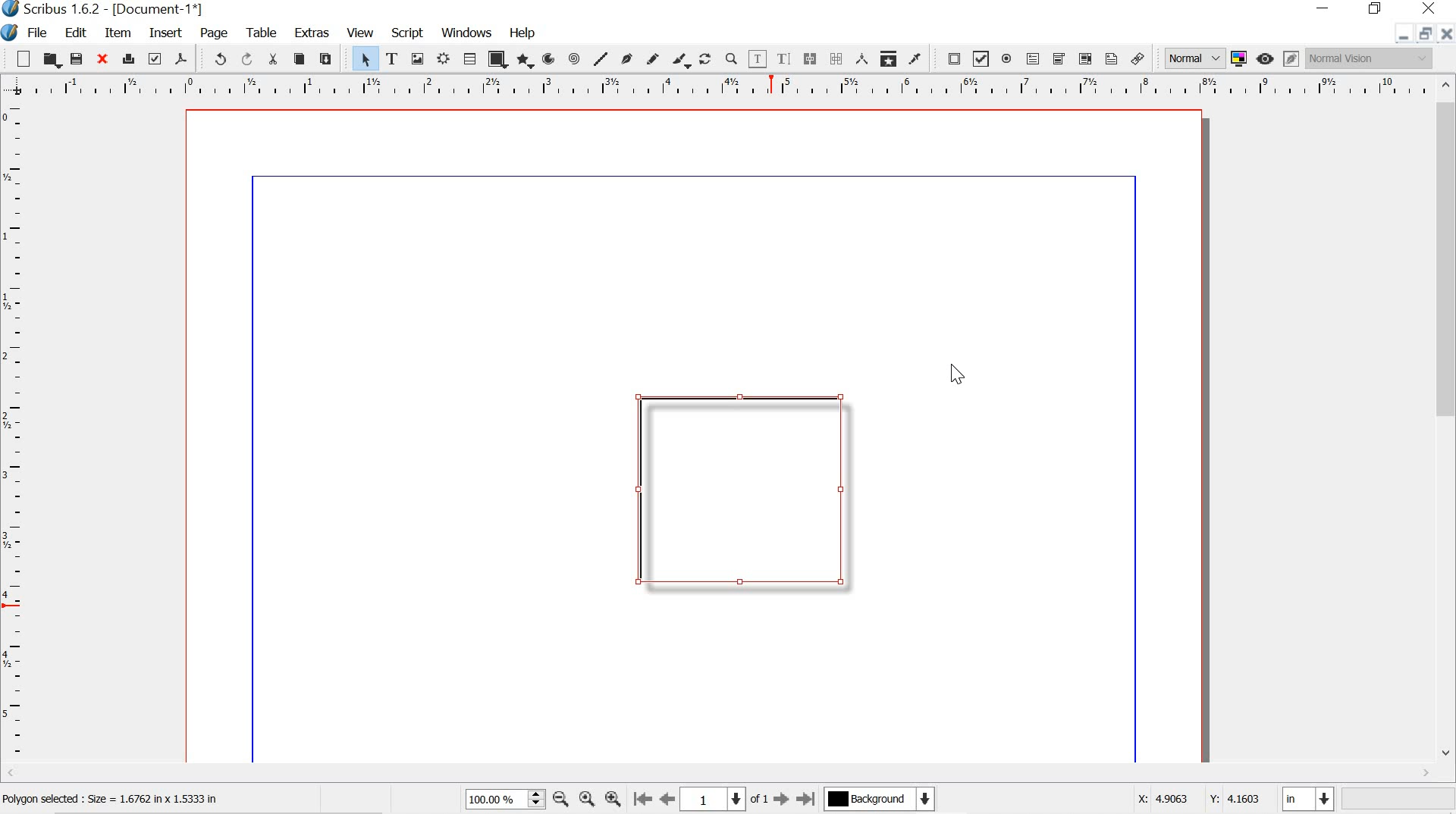  I want to click on edit contents of frame, so click(757, 59).